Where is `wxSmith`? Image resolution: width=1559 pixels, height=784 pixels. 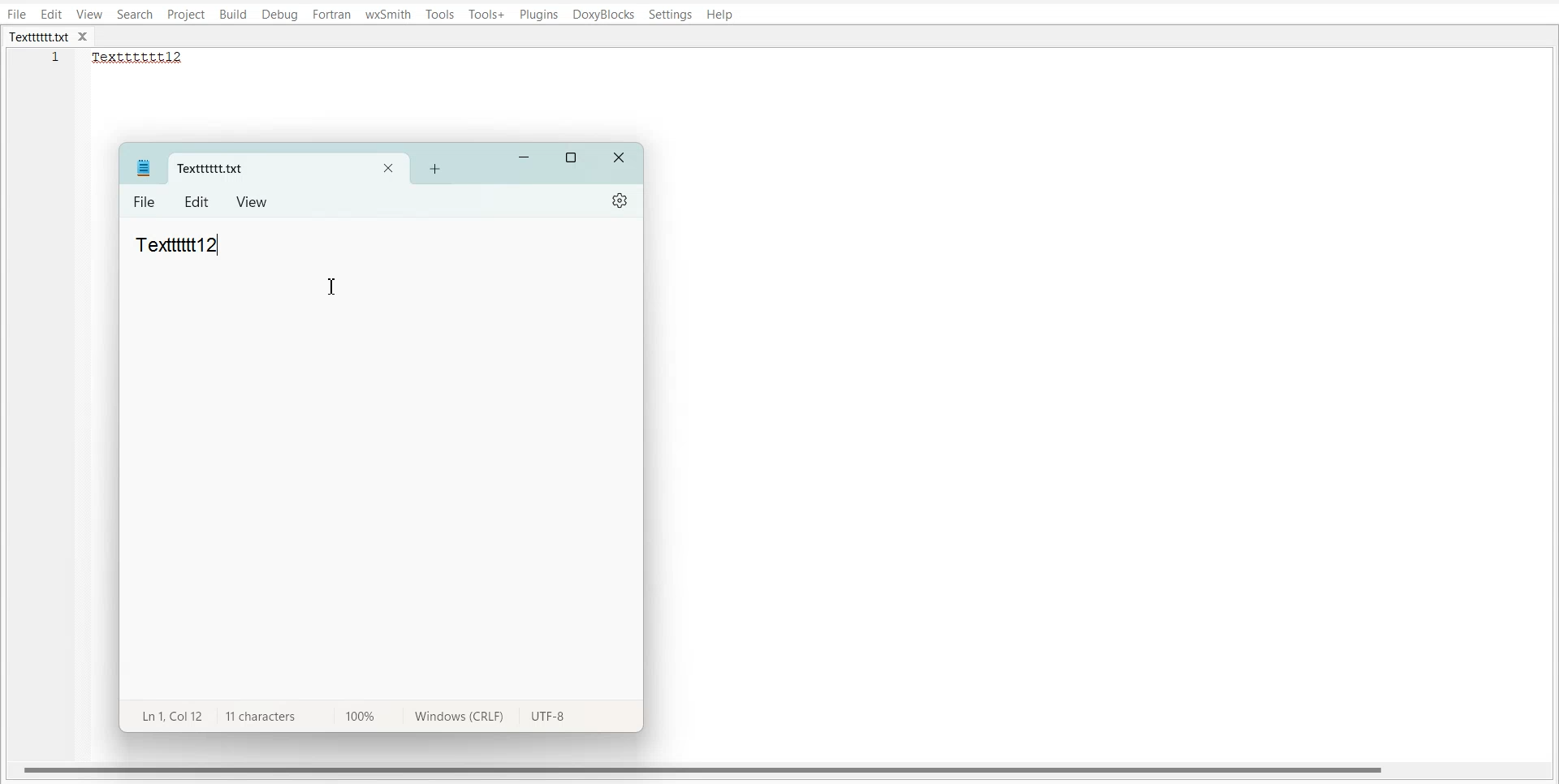 wxSmith is located at coordinates (389, 14).